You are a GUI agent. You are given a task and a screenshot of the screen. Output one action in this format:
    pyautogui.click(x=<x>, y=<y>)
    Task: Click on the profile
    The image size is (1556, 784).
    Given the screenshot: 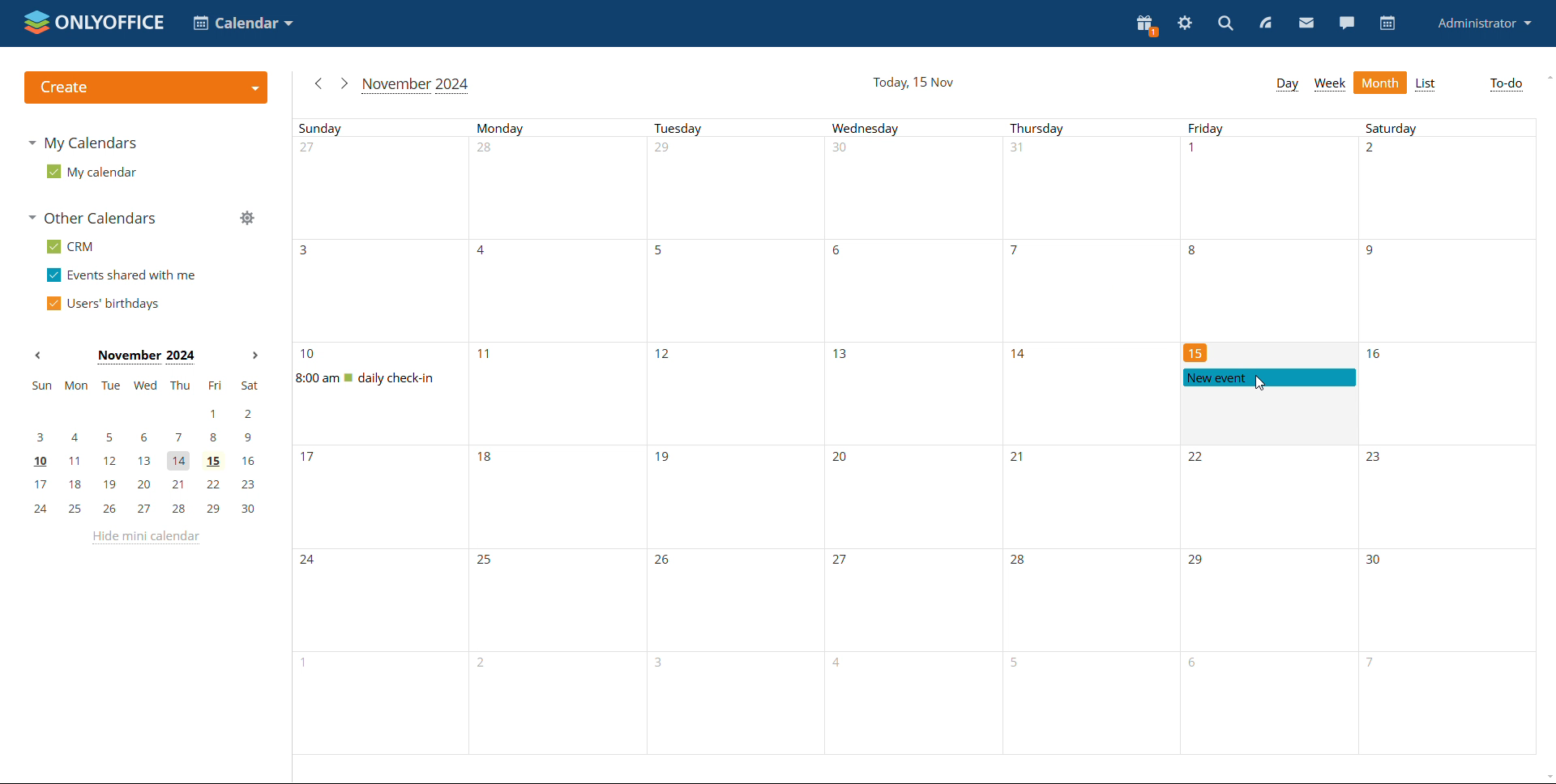 What is the action you would take?
    pyautogui.click(x=1483, y=24)
    